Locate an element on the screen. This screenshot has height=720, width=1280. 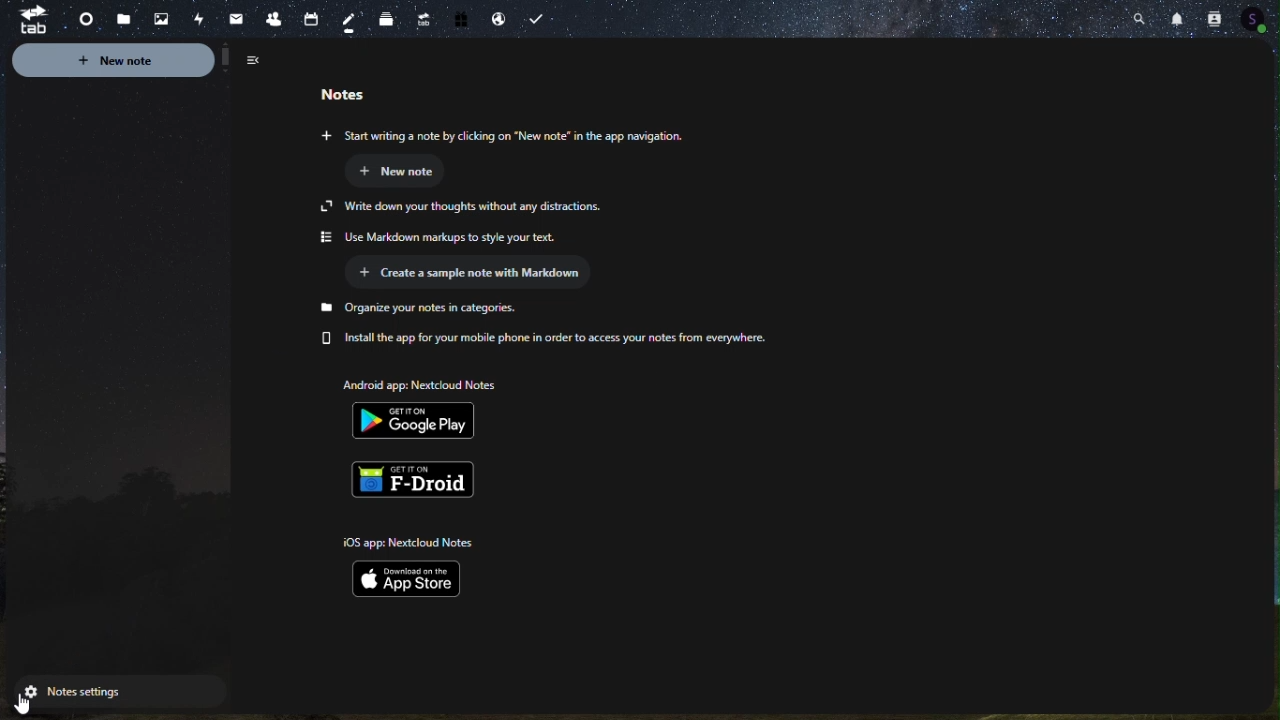
dashboard is located at coordinates (79, 16).